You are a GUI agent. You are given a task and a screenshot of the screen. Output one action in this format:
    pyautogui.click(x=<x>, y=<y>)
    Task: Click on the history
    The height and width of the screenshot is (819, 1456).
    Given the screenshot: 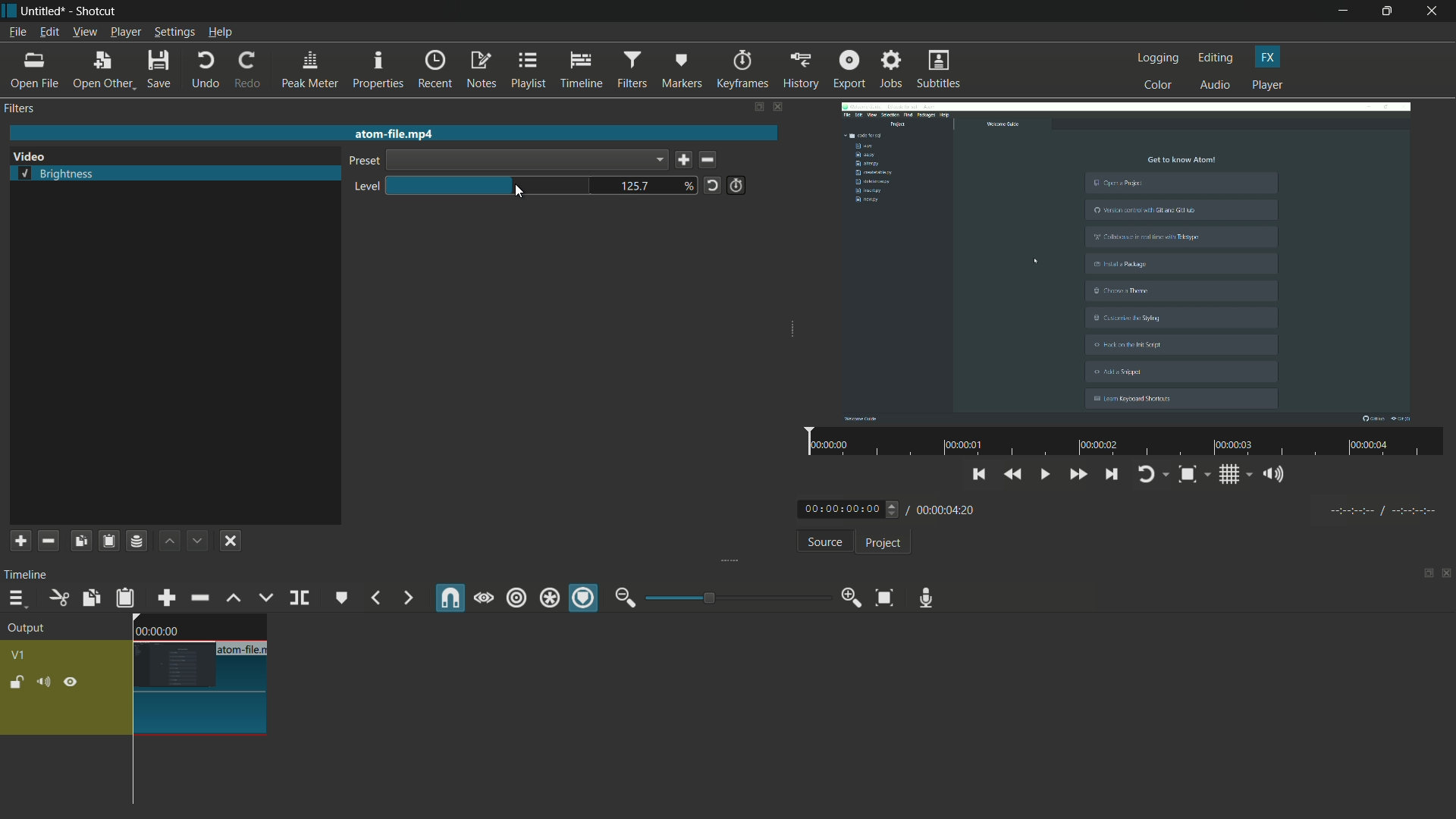 What is the action you would take?
    pyautogui.click(x=799, y=70)
    